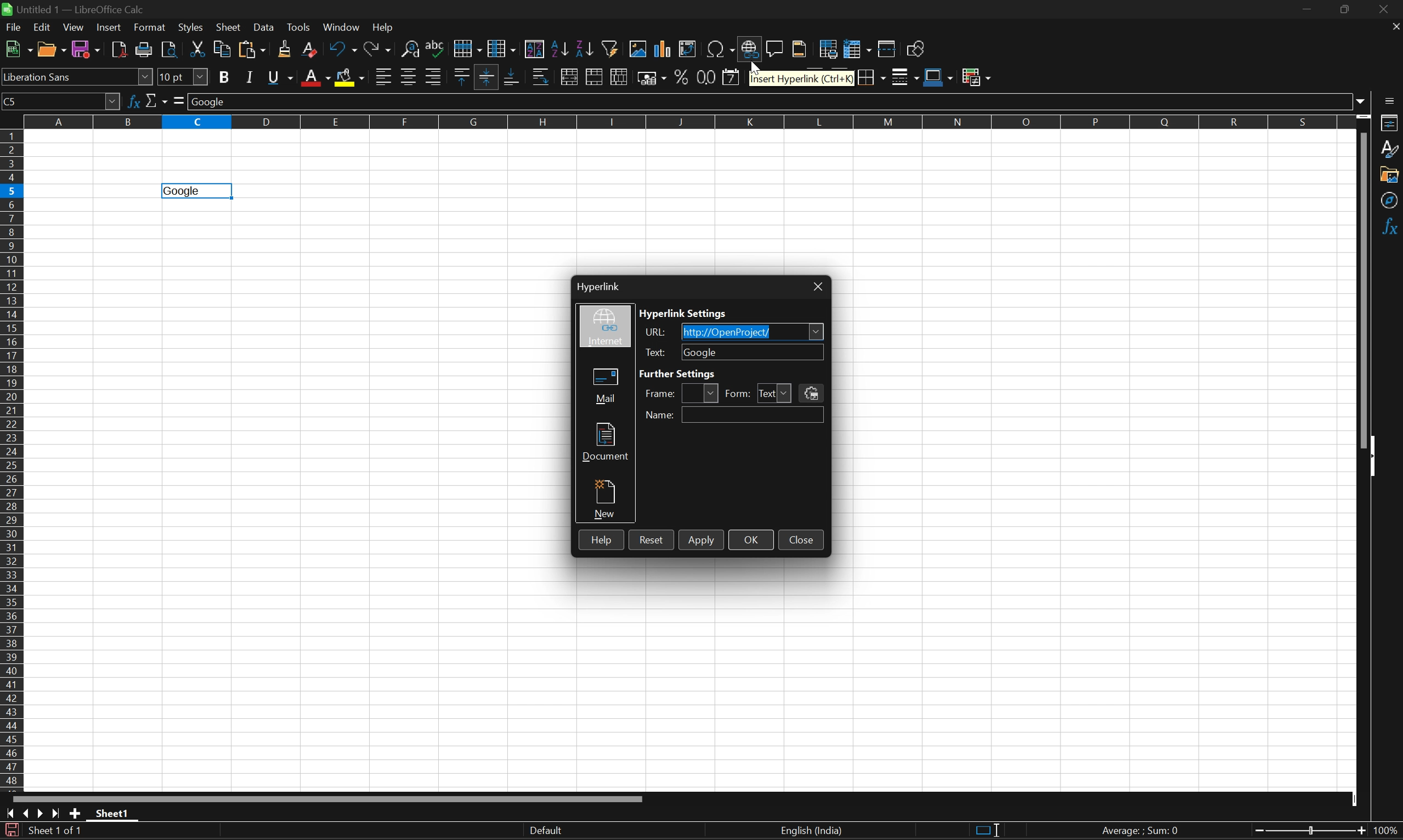 The height and width of the screenshot is (840, 1403). I want to click on Drop down, so click(787, 393).